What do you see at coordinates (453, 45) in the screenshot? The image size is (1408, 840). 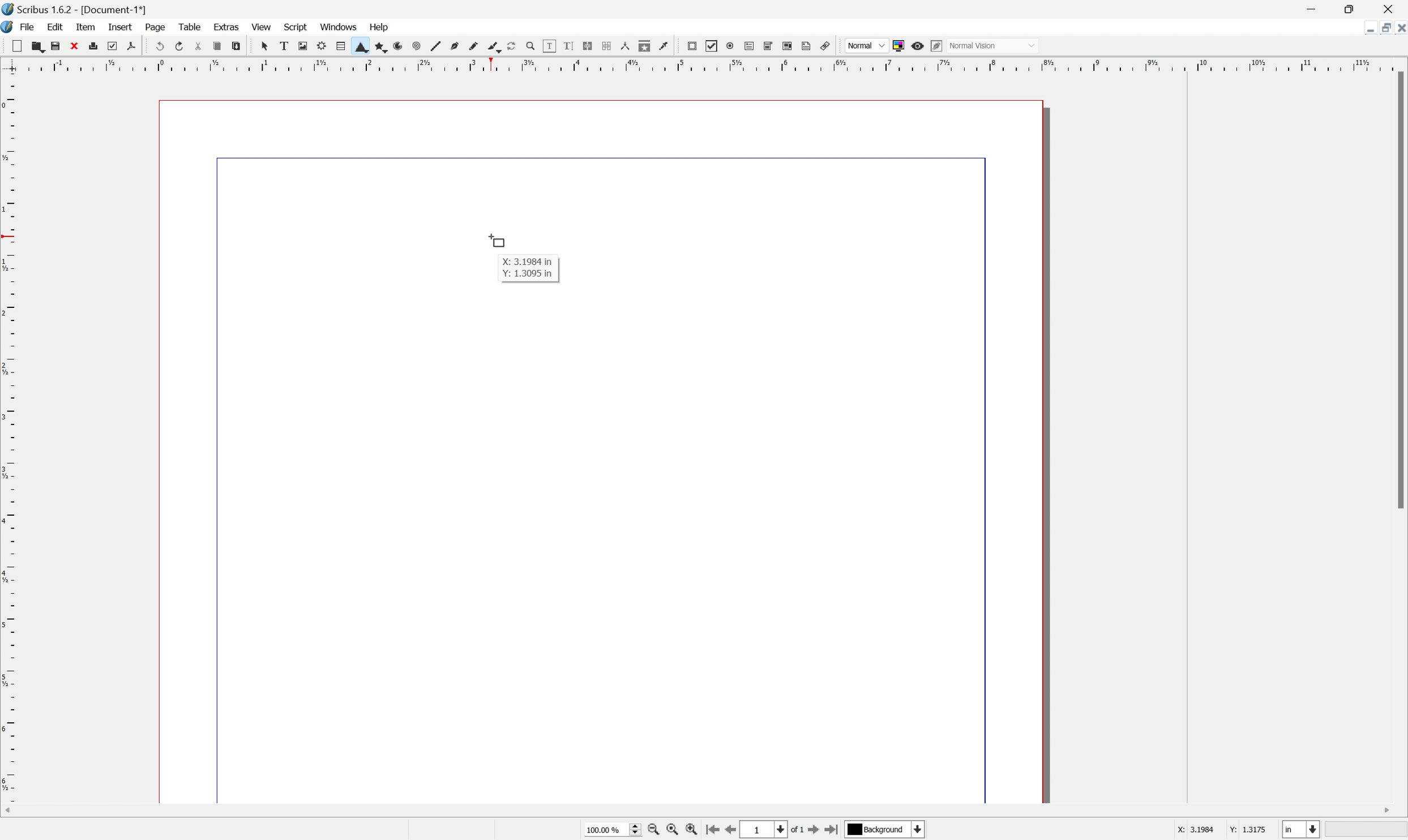 I see `Bezier curve` at bounding box center [453, 45].